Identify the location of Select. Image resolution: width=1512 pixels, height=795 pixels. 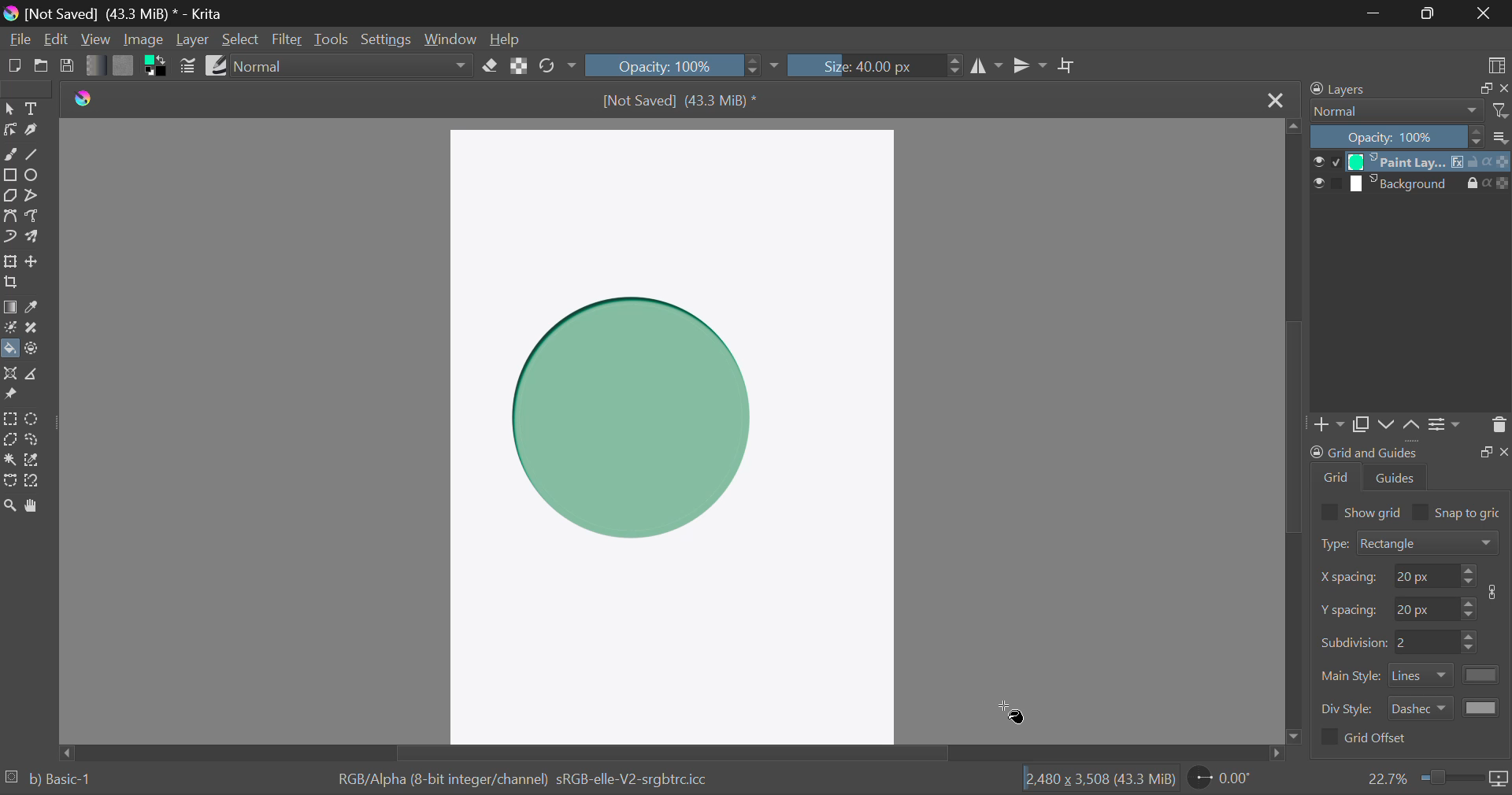
(10, 109).